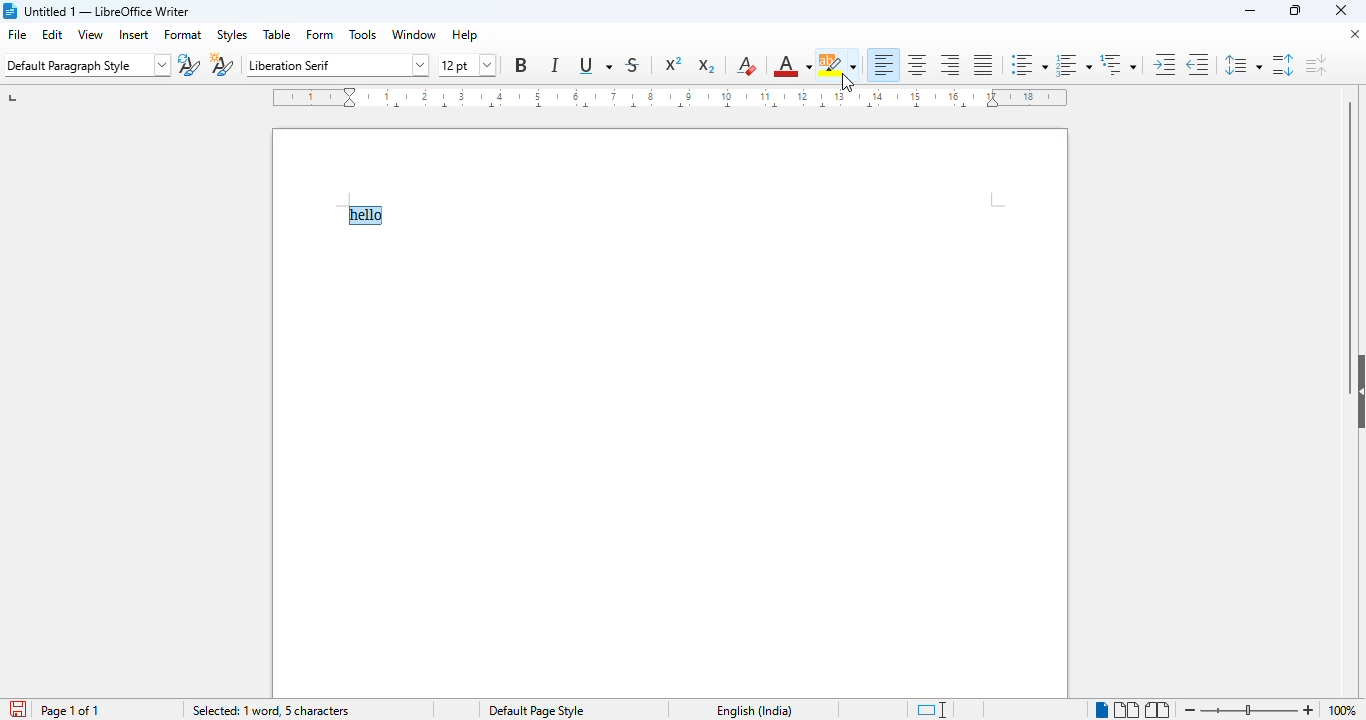 This screenshot has width=1366, height=720. Describe the element at coordinates (791, 66) in the screenshot. I see `font color` at that location.